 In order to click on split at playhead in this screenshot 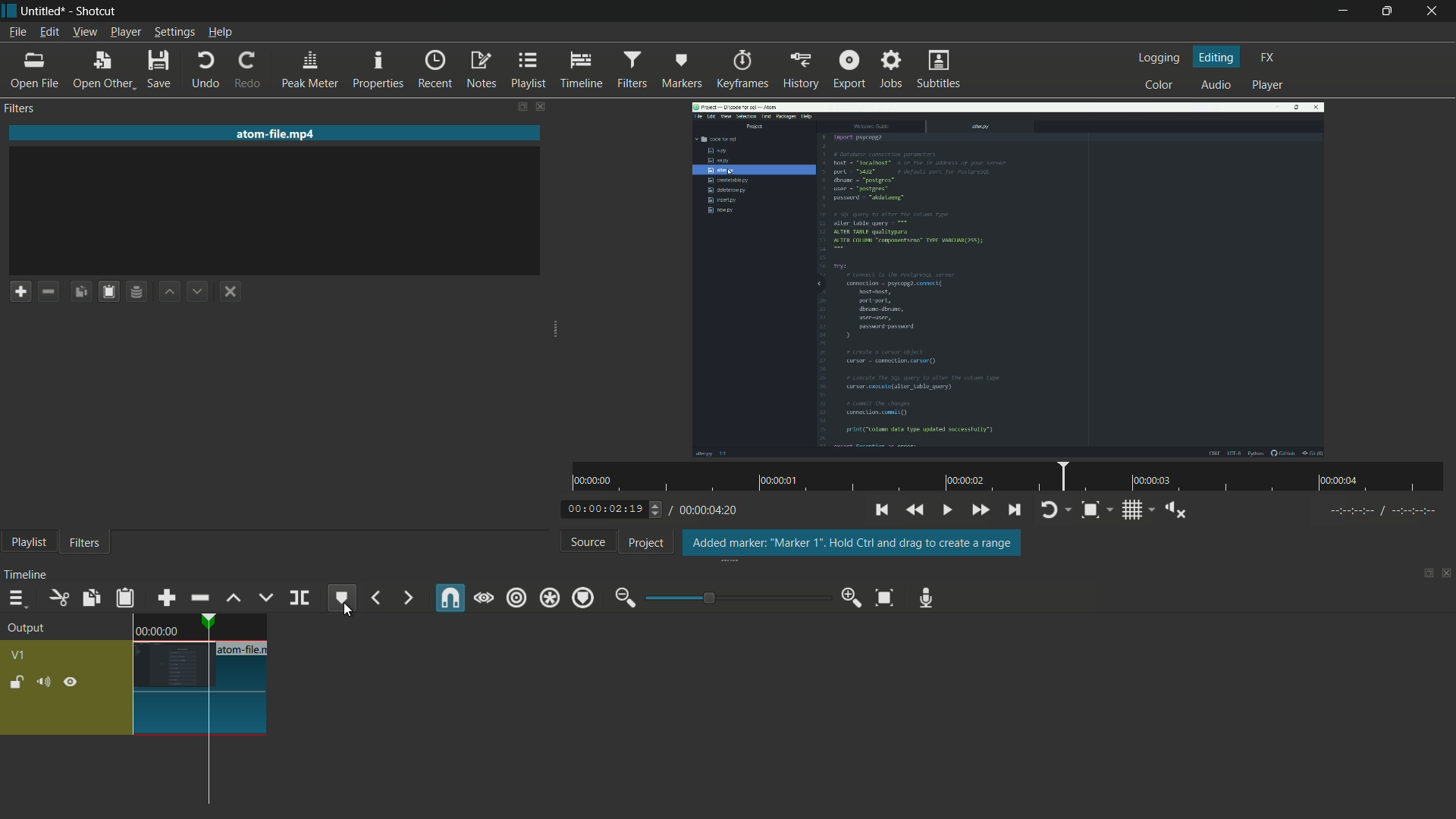, I will do `click(300, 598)`.